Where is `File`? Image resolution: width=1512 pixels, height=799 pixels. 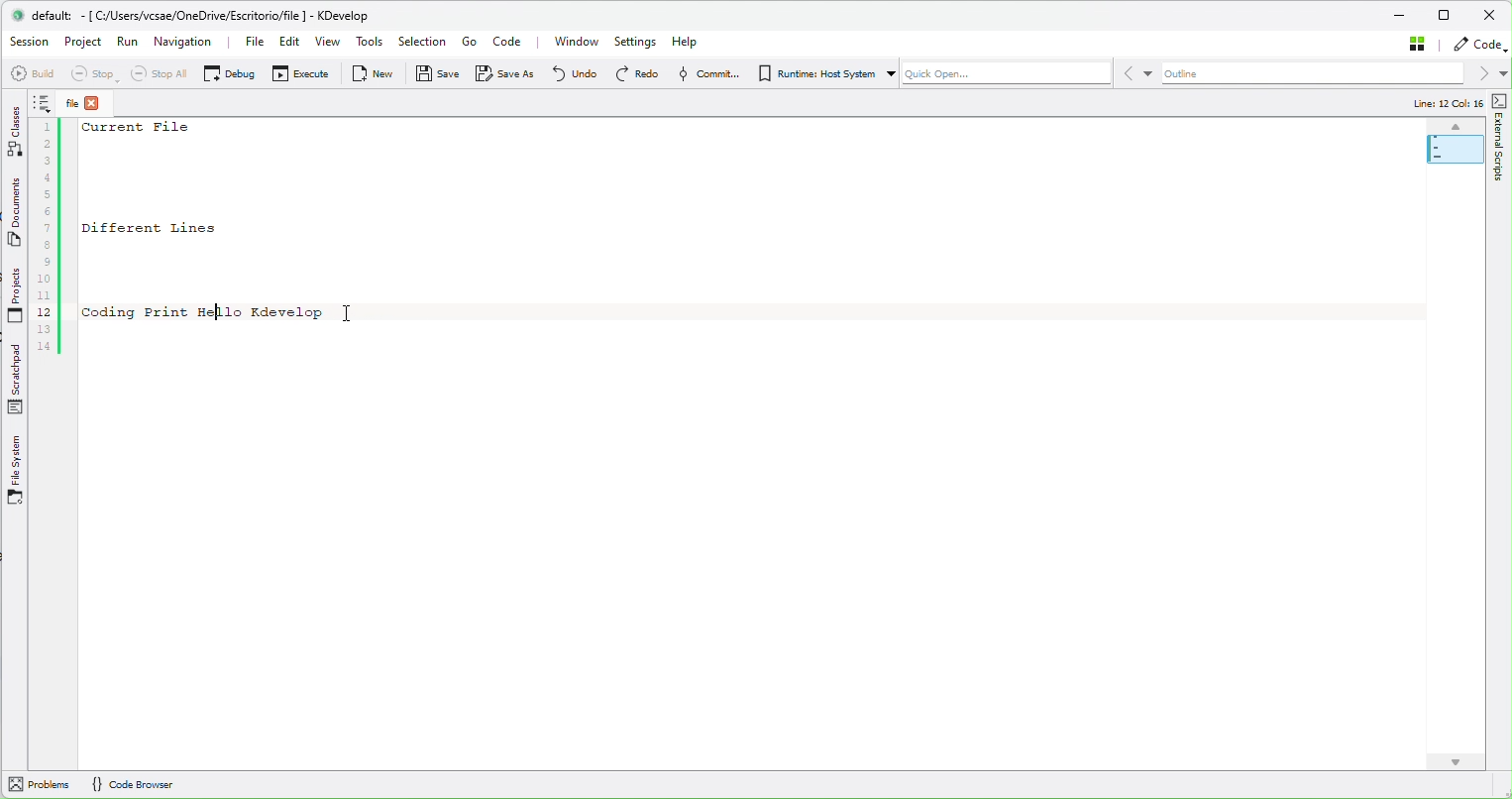
File is located at coordinates (247, 41).